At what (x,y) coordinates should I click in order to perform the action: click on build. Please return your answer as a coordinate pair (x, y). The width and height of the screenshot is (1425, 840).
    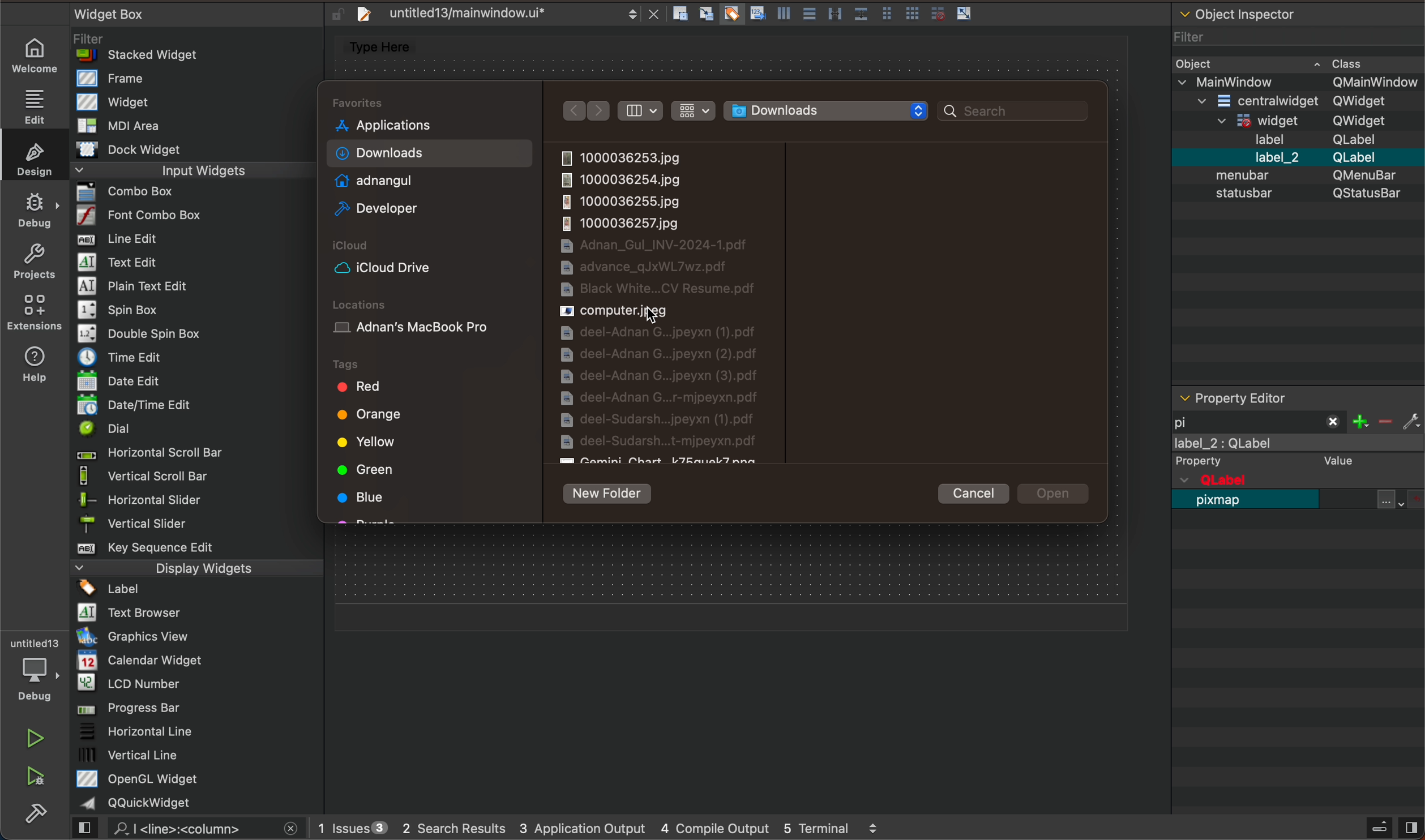
    Looking at the image, I should click on (43, 818).